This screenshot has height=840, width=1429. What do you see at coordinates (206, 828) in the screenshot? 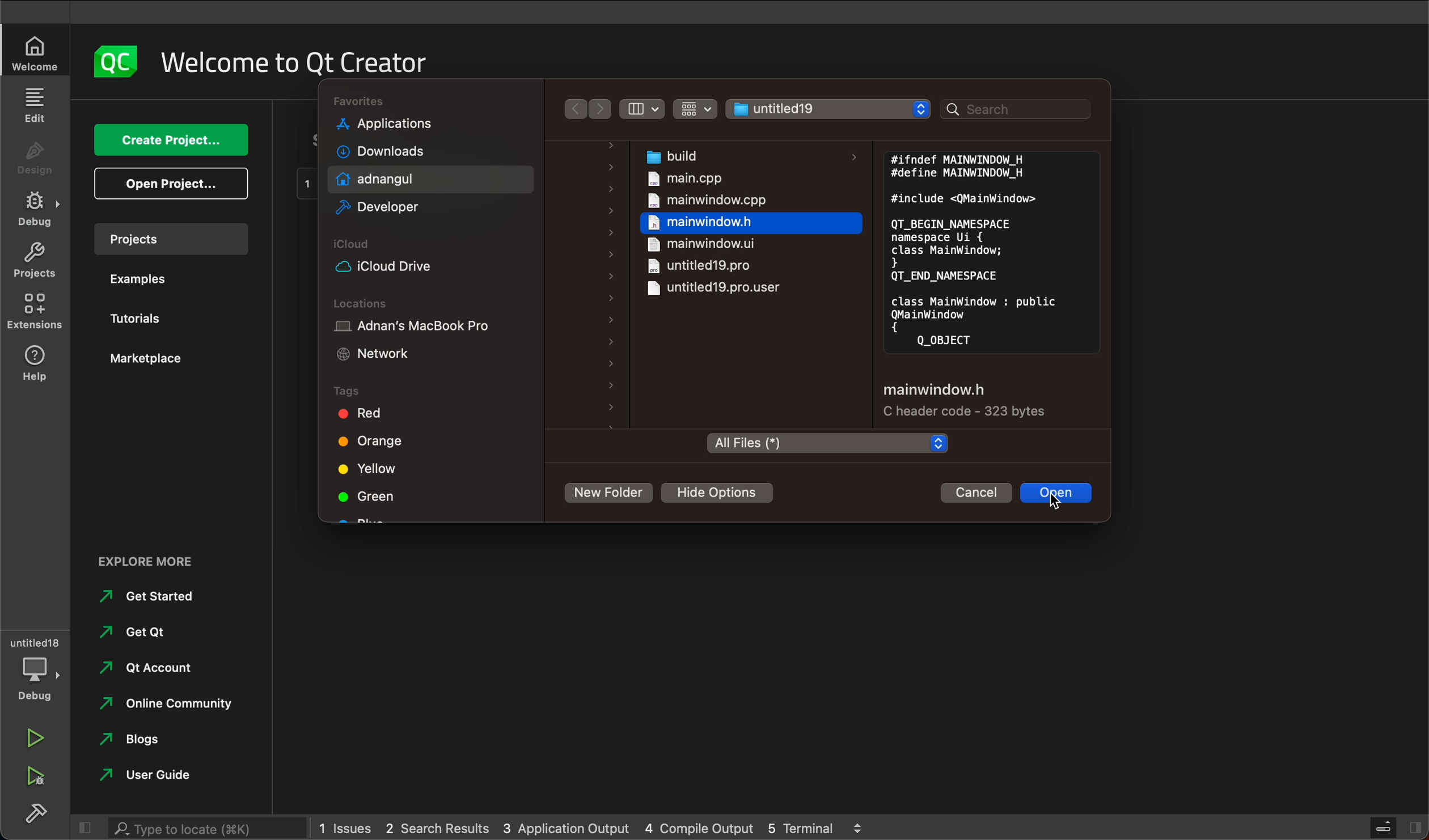
I see `search ` at bounding box center [206, 828].